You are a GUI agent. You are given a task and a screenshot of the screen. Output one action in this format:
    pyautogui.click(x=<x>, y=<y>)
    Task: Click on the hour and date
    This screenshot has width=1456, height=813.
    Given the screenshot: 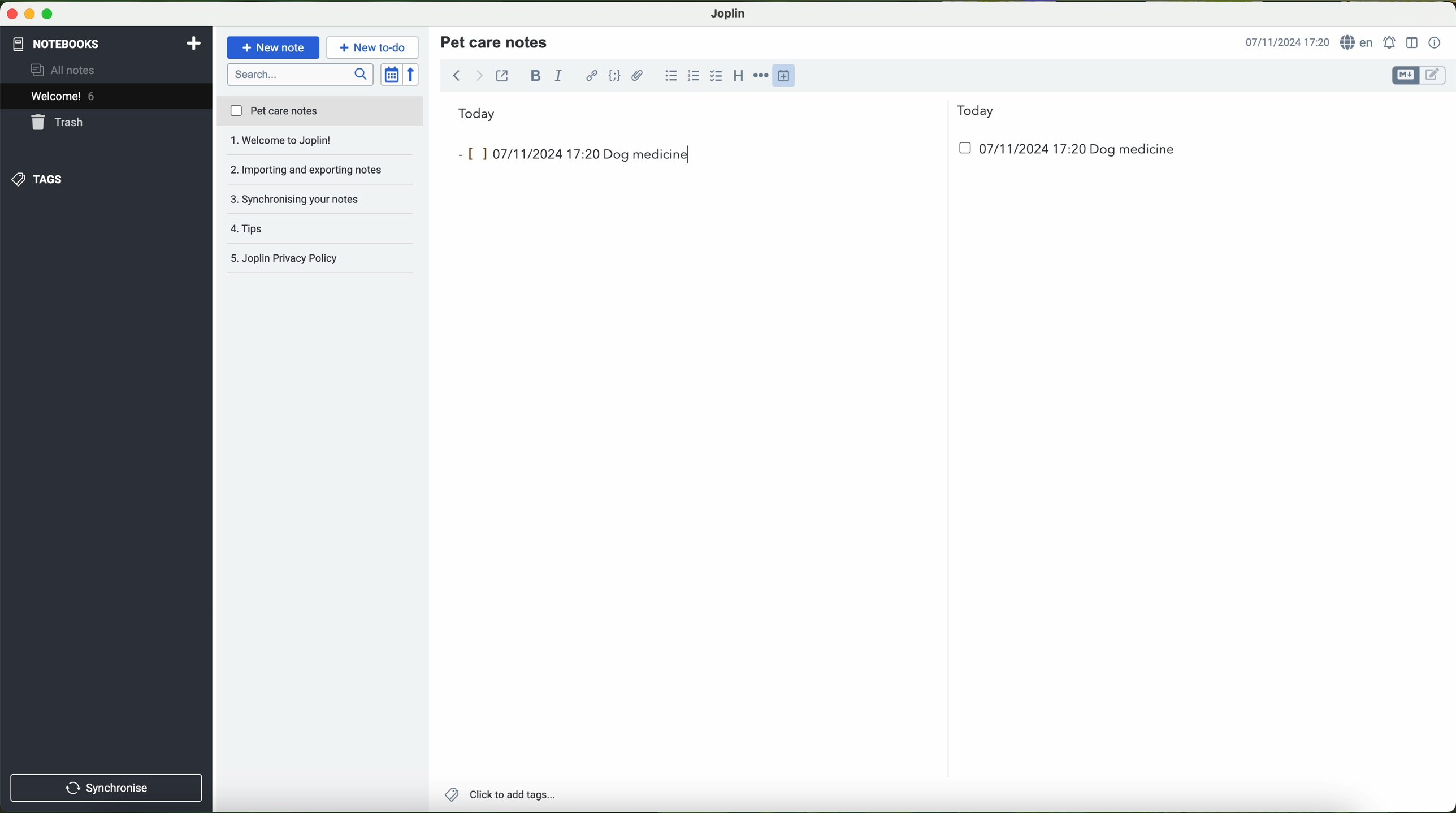 What is the action you would take?
    pyautogui.click(x=1286, y=43)
    